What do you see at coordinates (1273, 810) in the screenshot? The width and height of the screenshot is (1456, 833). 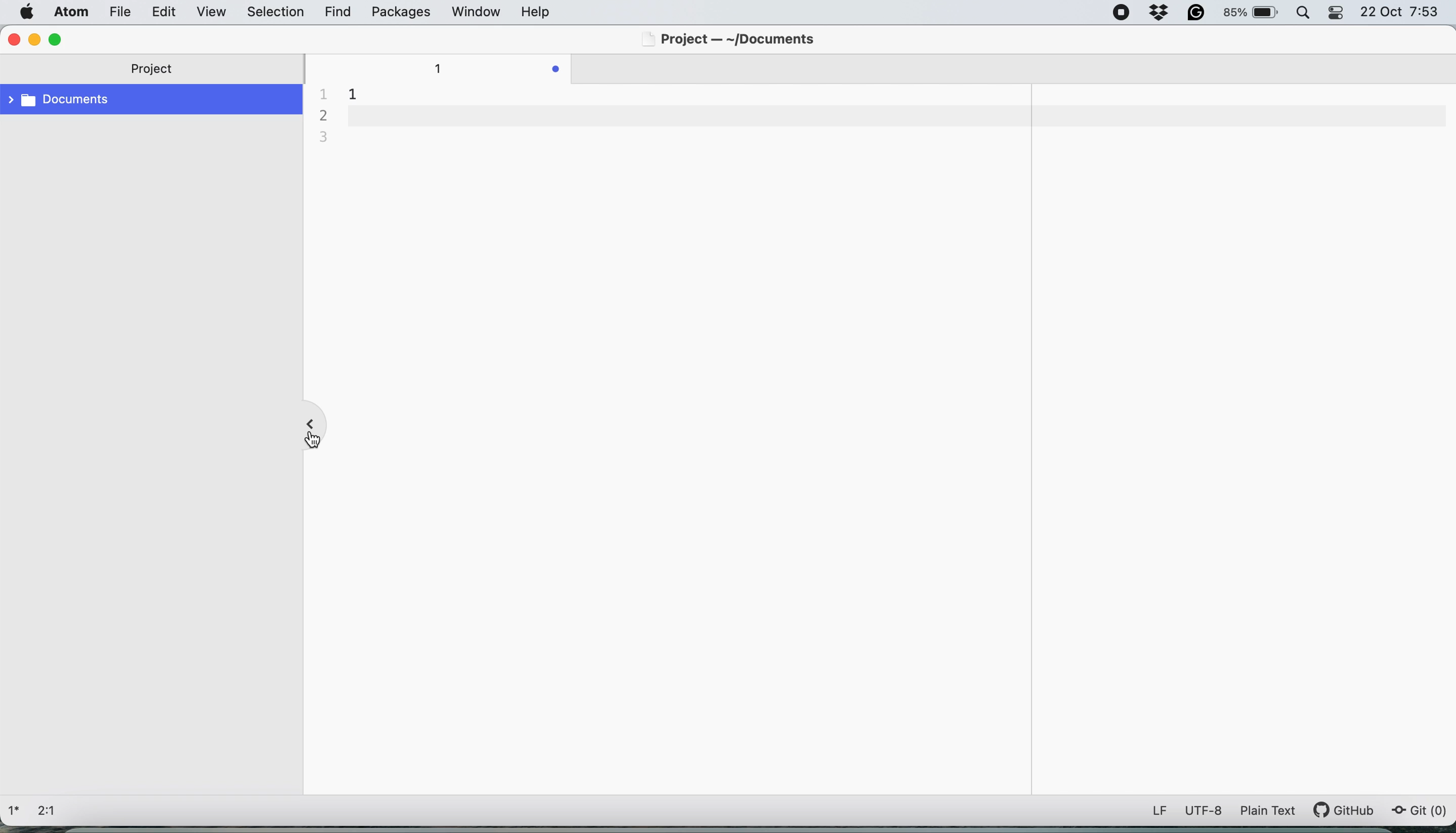 I see `plain text` at bounding box center [1273, 810].